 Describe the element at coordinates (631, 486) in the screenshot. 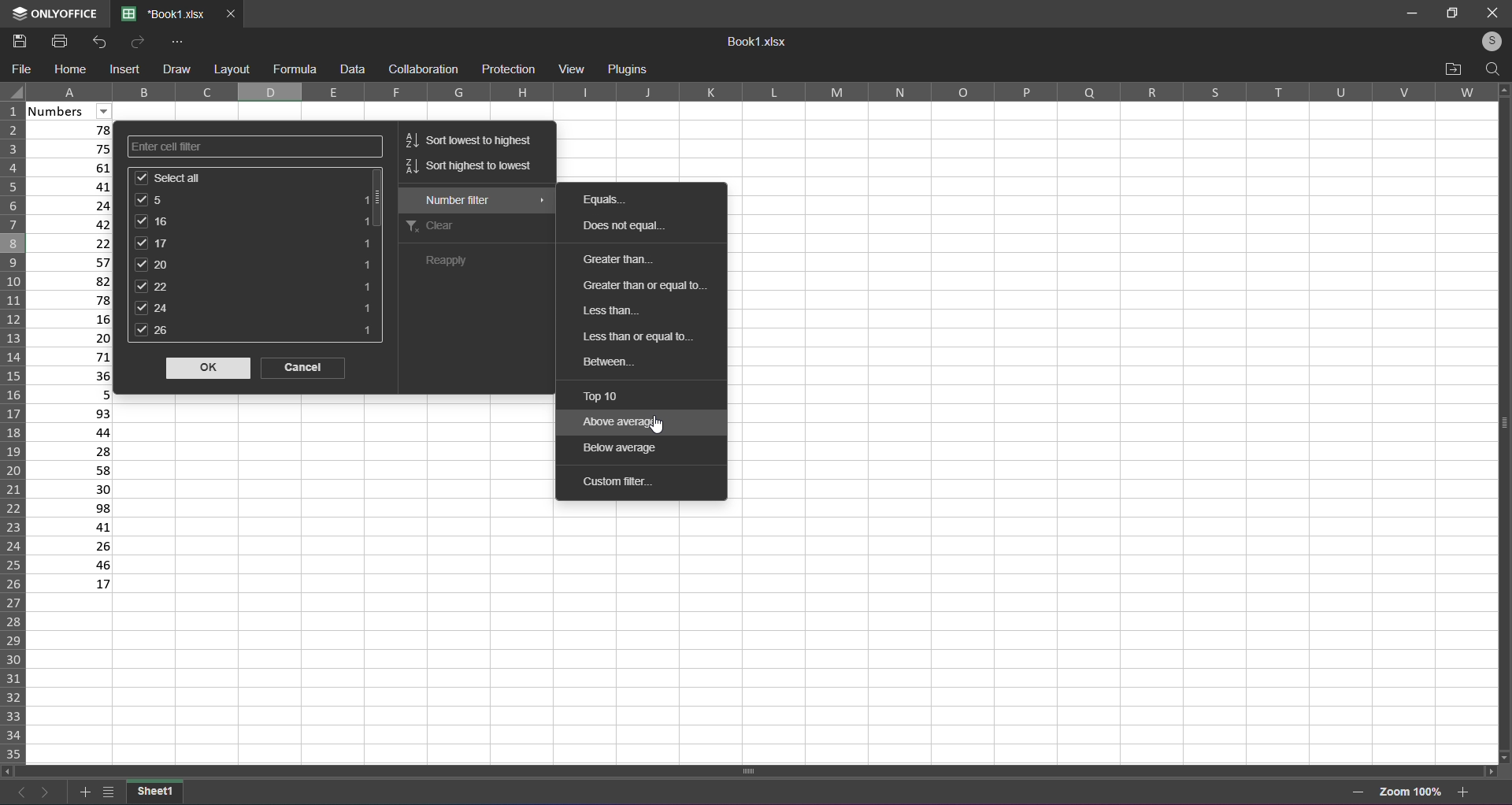

I see `Custom Filters` at that location.